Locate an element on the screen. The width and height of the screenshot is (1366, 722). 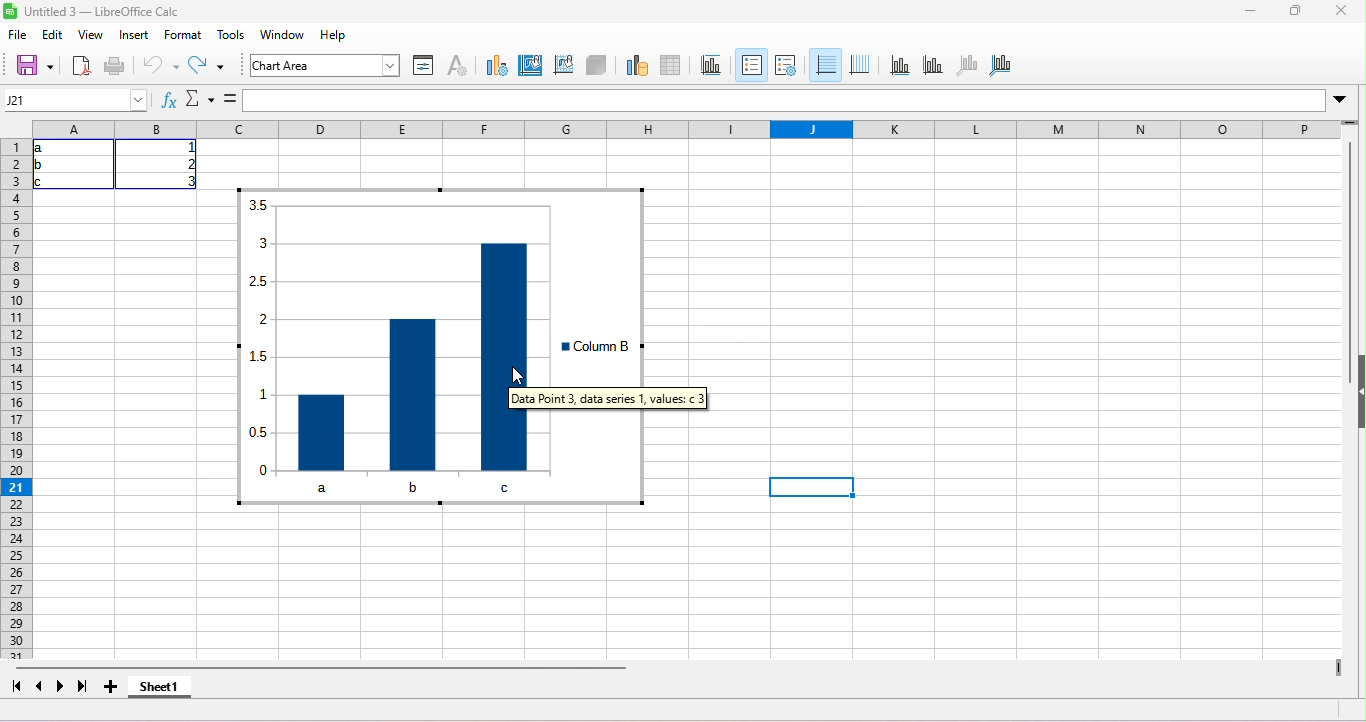
close is located at coordinates (1345, 14).